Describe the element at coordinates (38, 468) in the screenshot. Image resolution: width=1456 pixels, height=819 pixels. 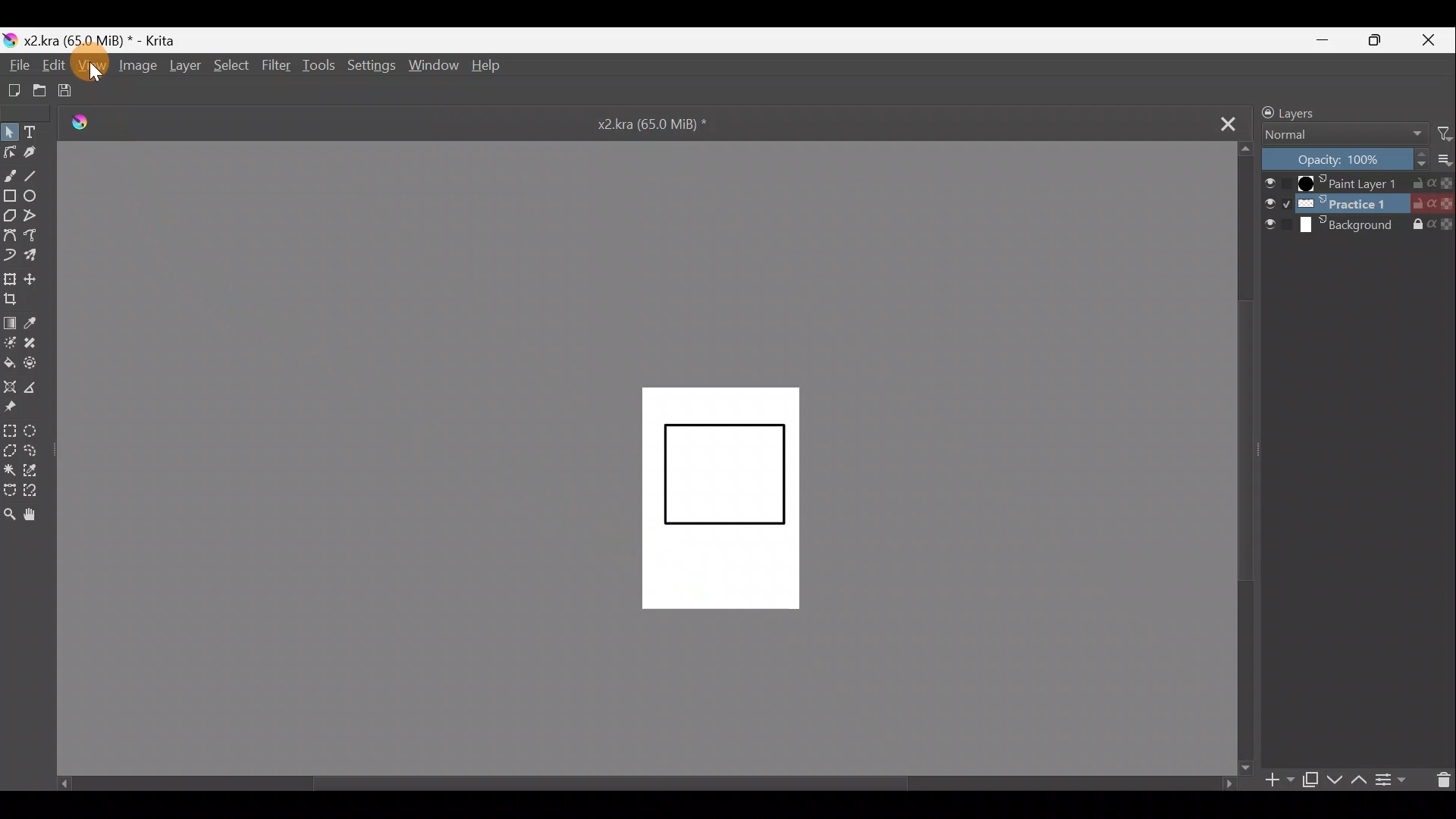
I see `Similar colour selection tool` at that location.